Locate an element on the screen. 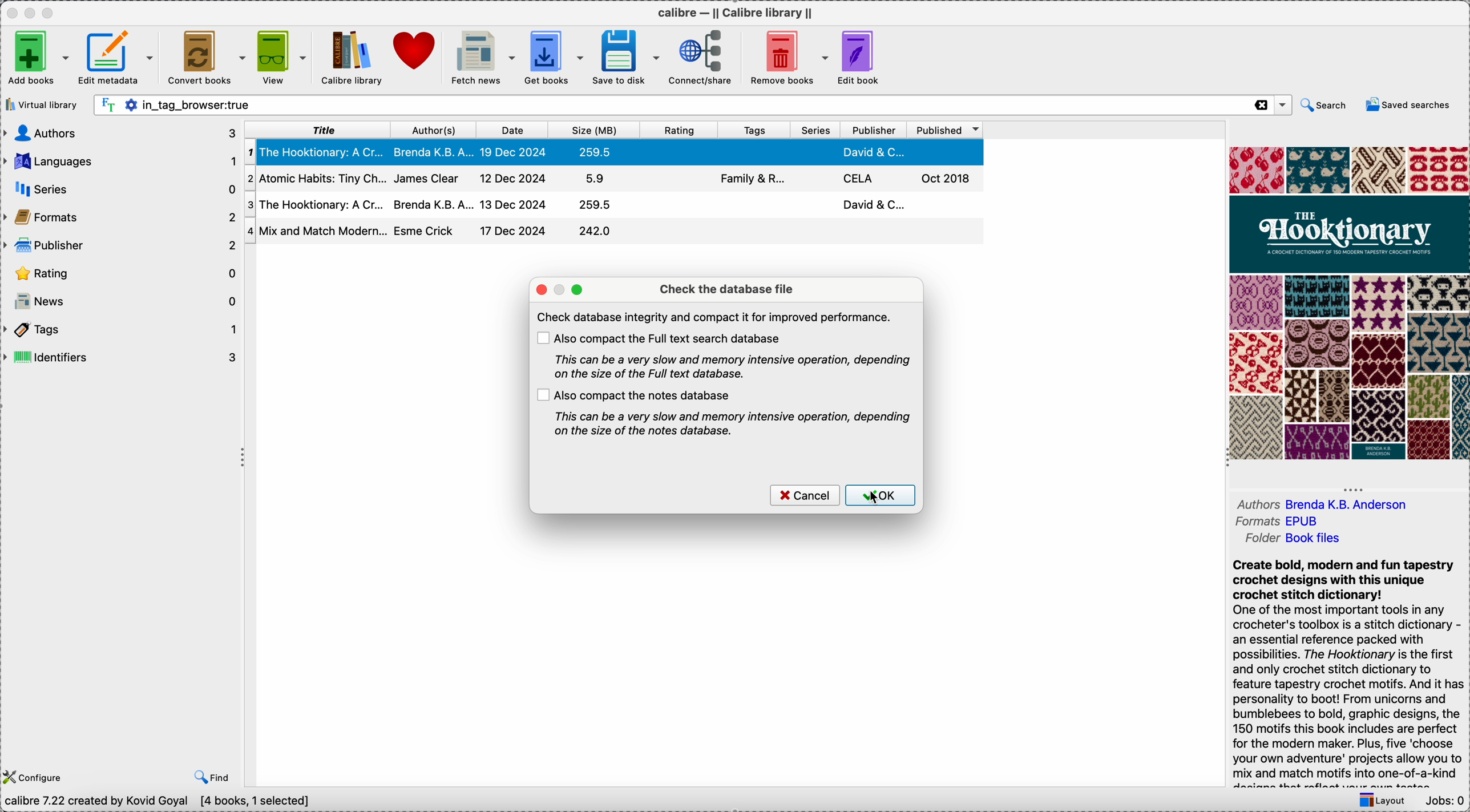 This screenshot has width=1470, height=812. also compact the notes database is located at coordinates (636, 394).